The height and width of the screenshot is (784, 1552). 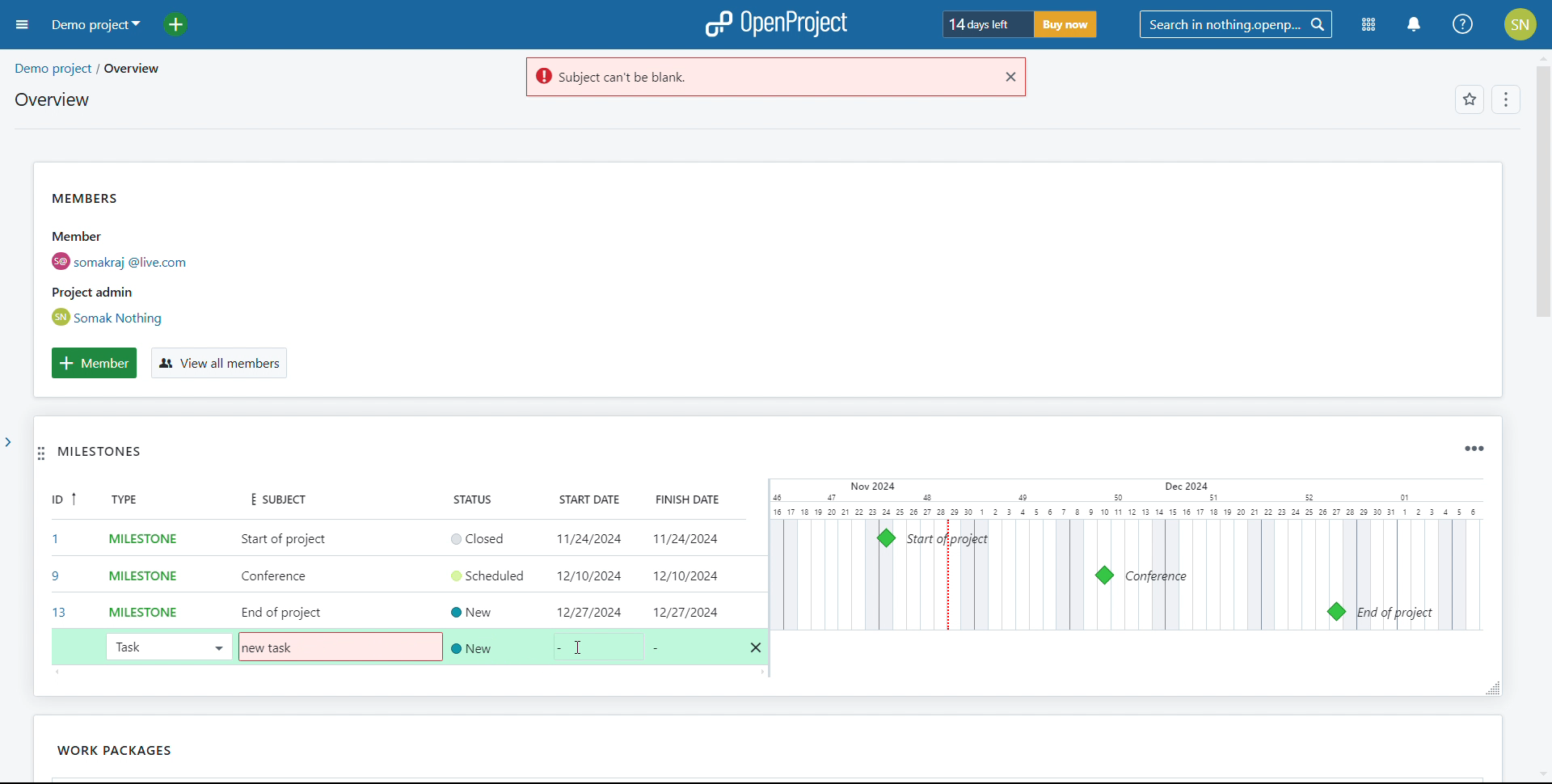 I want to click on milestone 13, so click(x=1335, y=612).